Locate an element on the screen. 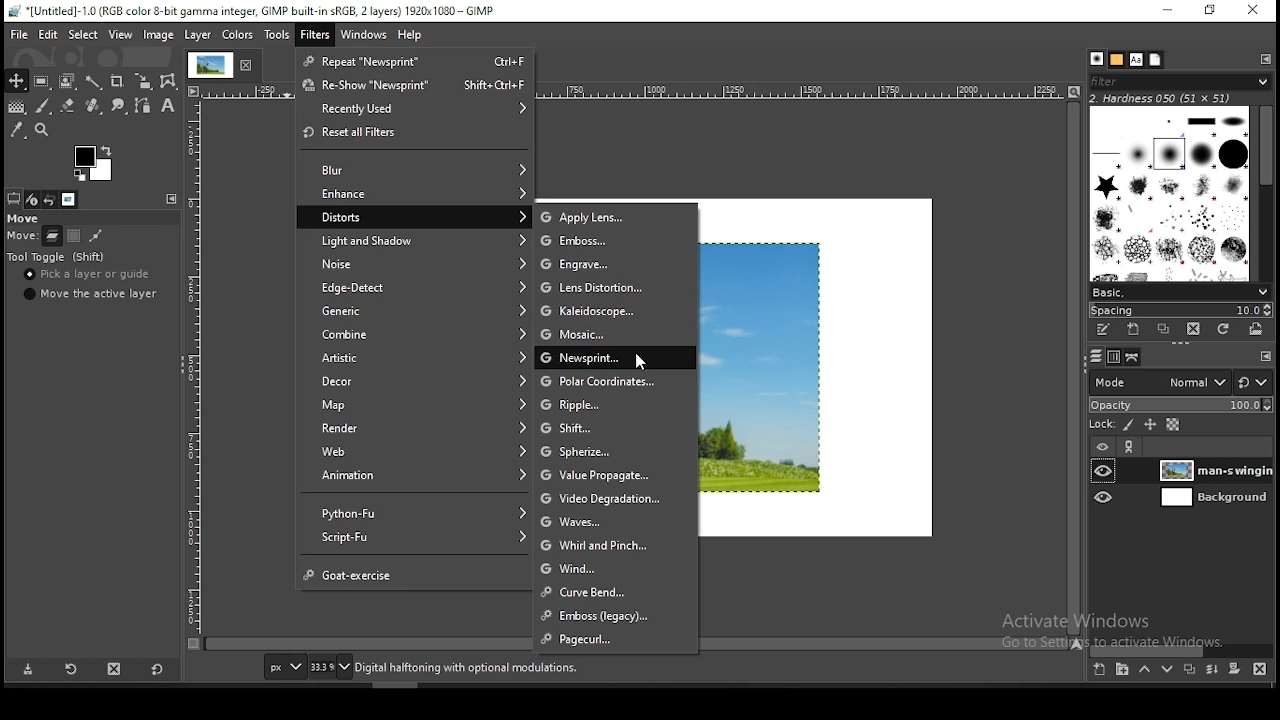  brush presets is located at coordinates (1177, 291).